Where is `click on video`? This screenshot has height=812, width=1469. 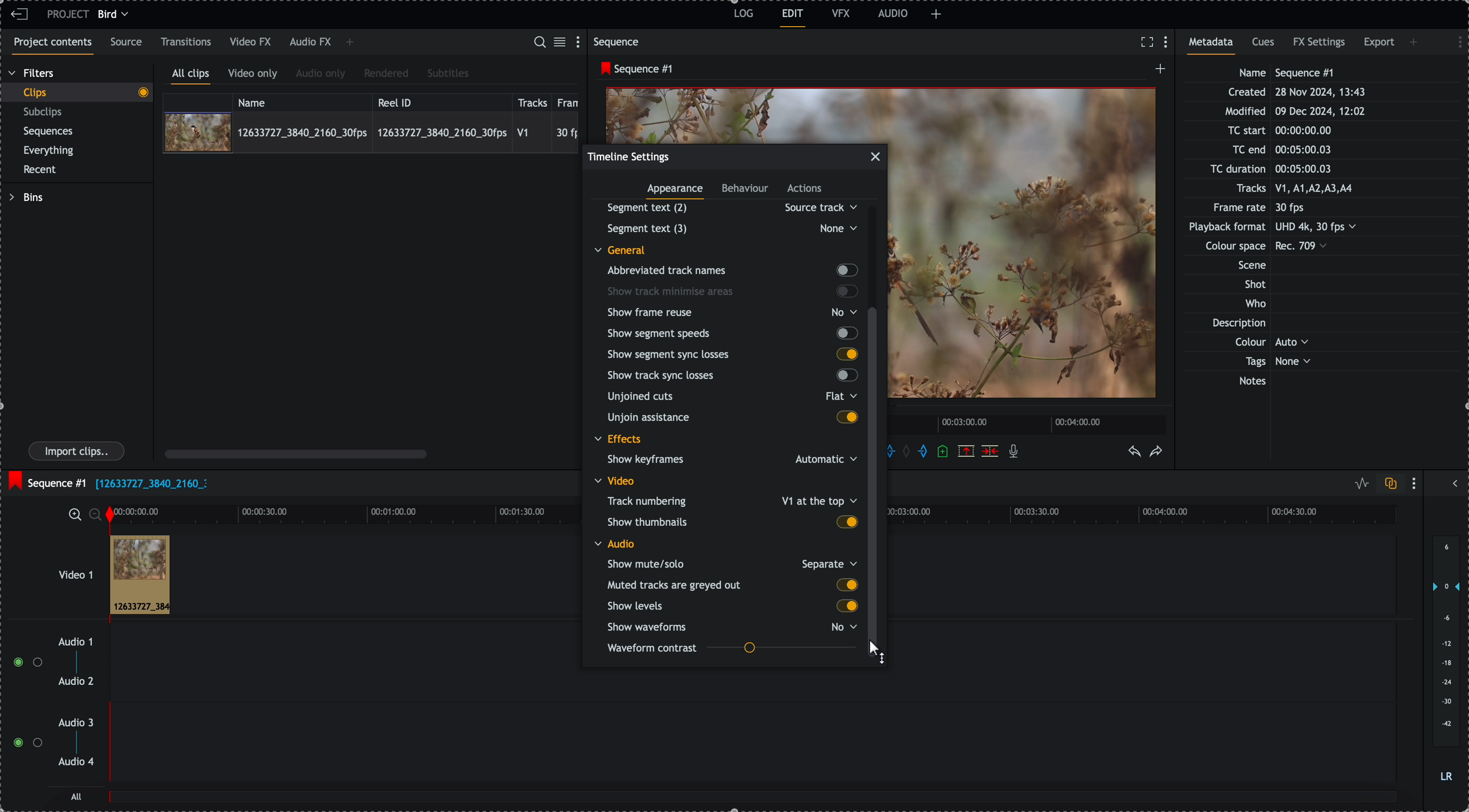 click on video is located at coordinates (371, 132).